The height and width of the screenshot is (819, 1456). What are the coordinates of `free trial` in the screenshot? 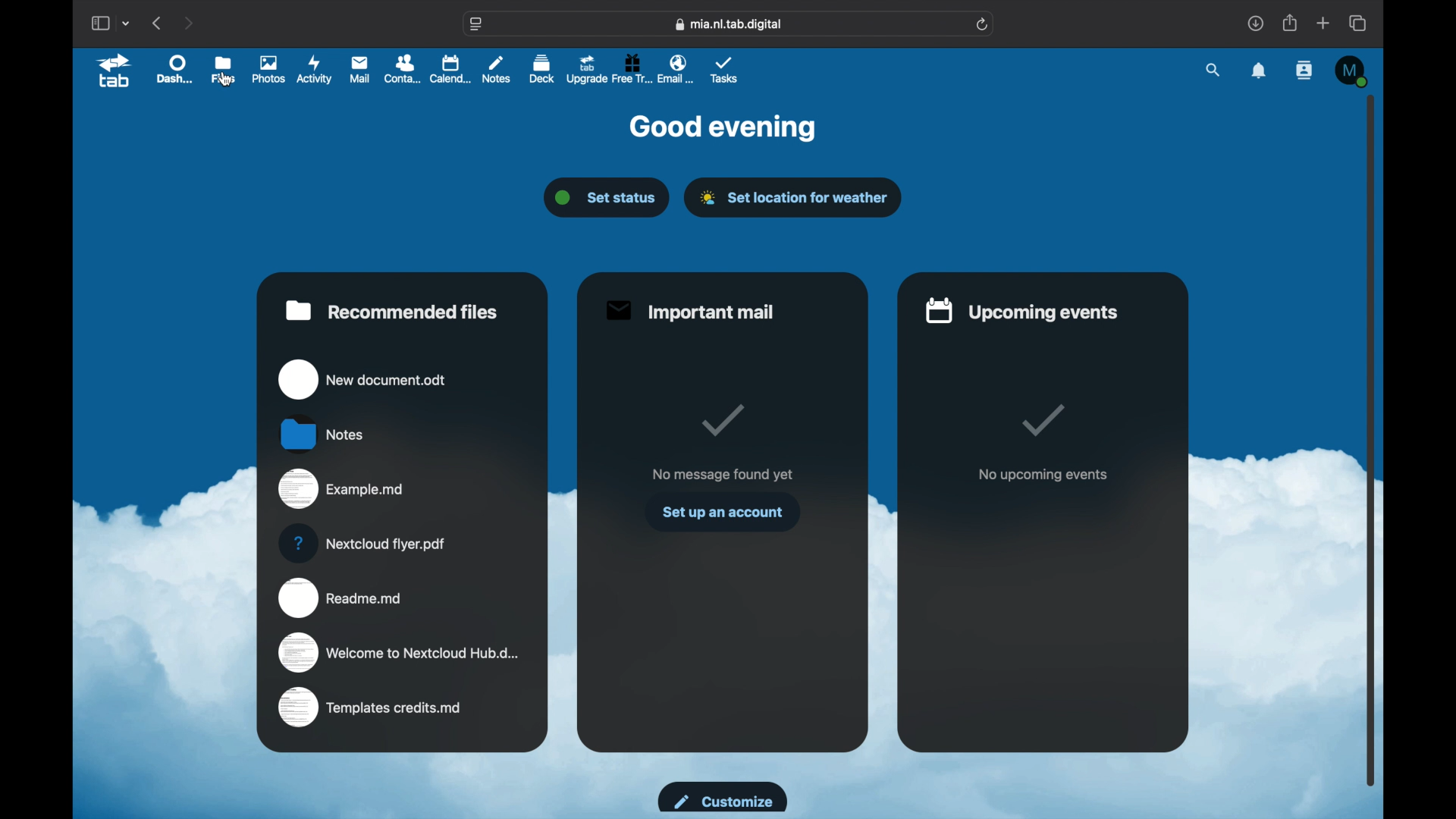 It's located at (632, 68).